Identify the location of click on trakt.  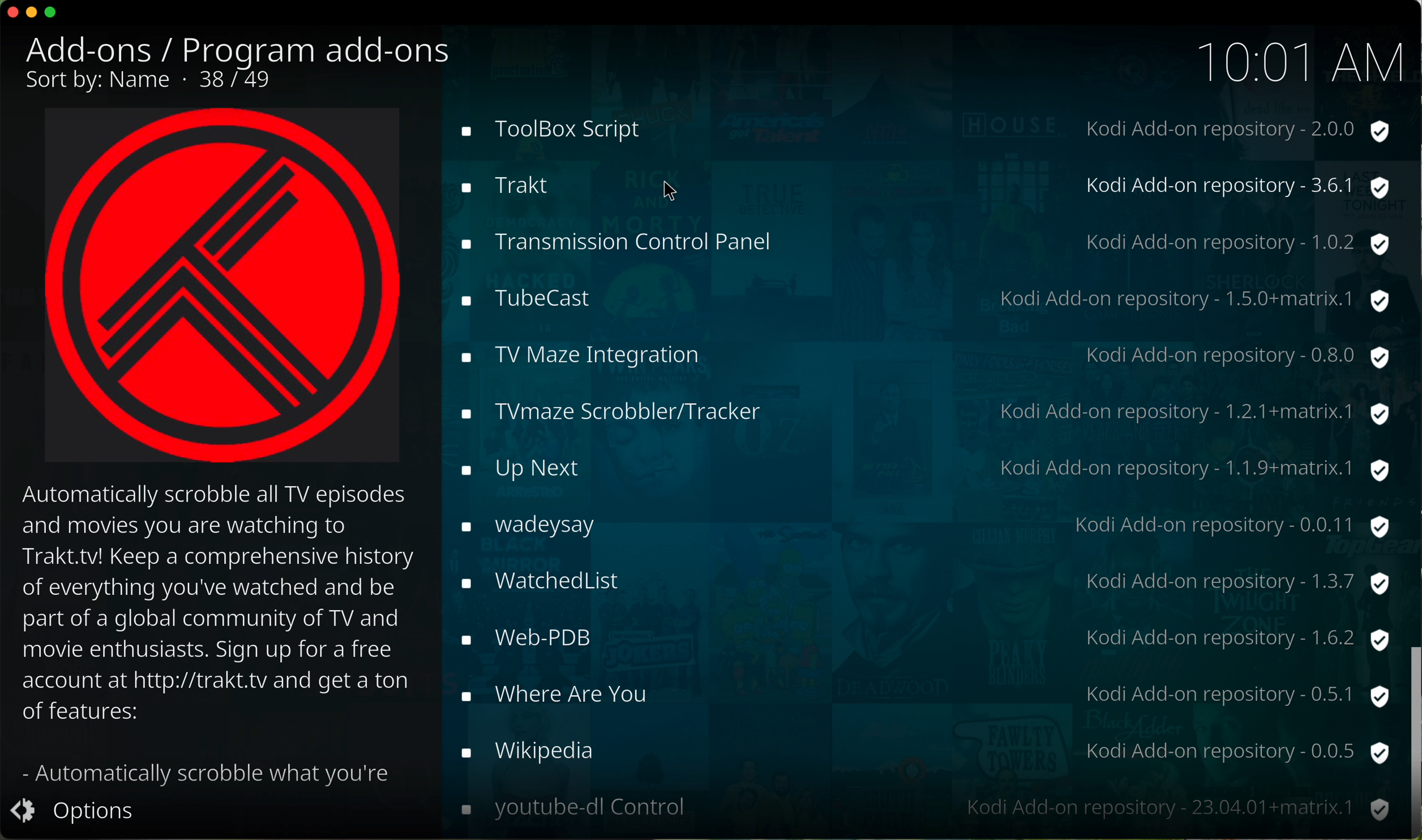
(925, 187).